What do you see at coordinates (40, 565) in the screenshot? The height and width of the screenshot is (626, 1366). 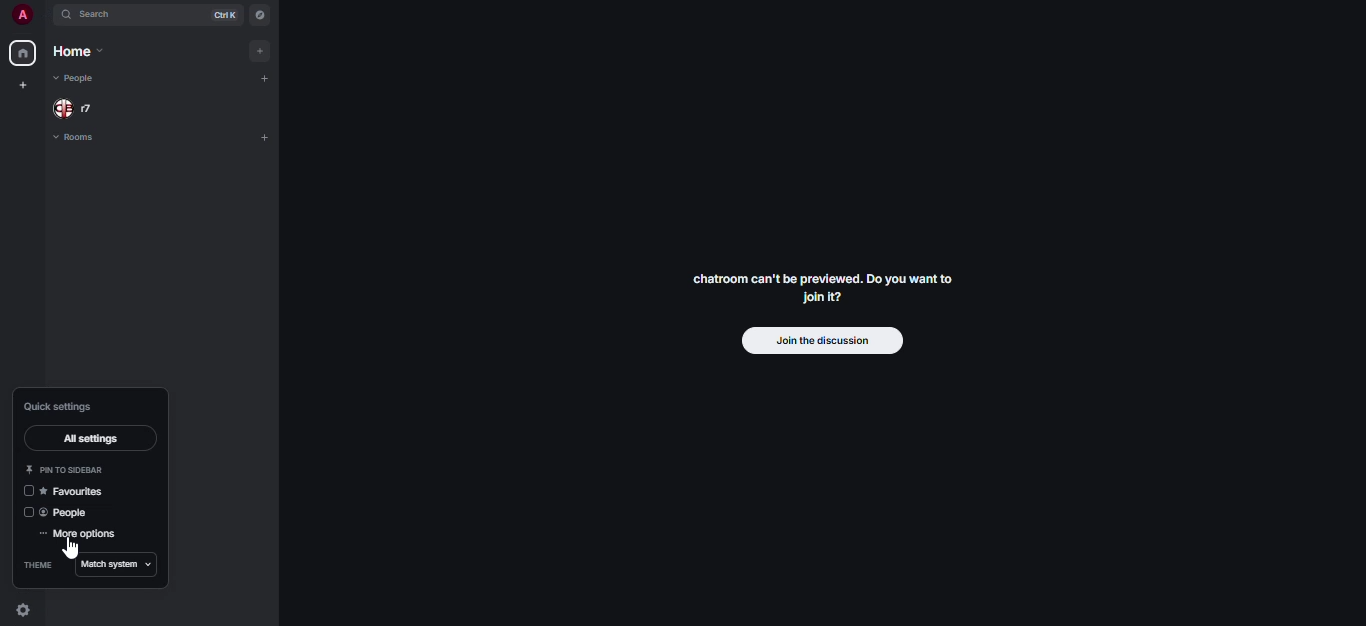 I see `theme` at bounding box center [40, 565].